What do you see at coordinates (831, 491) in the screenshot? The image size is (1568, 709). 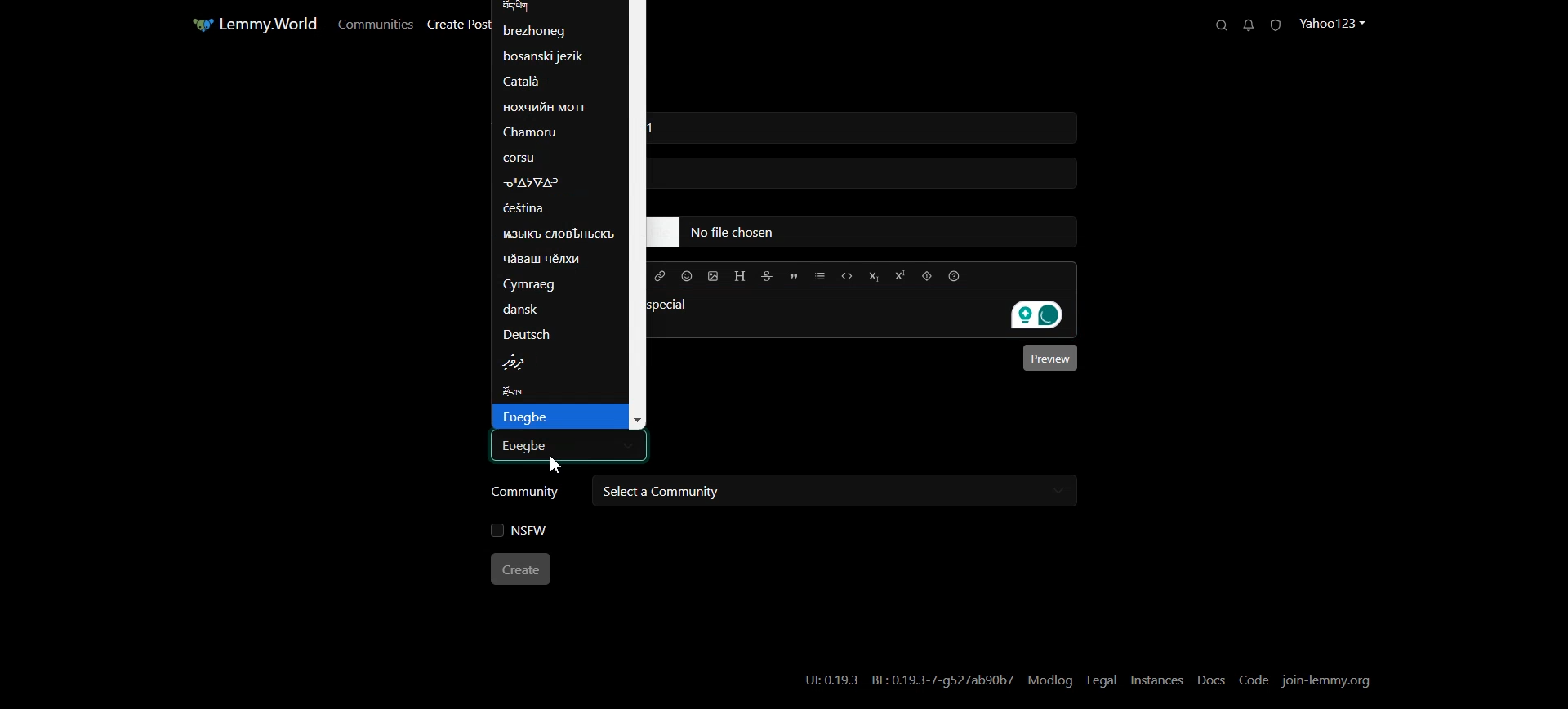 I see `Select a community` at bounding box center [831, 491].